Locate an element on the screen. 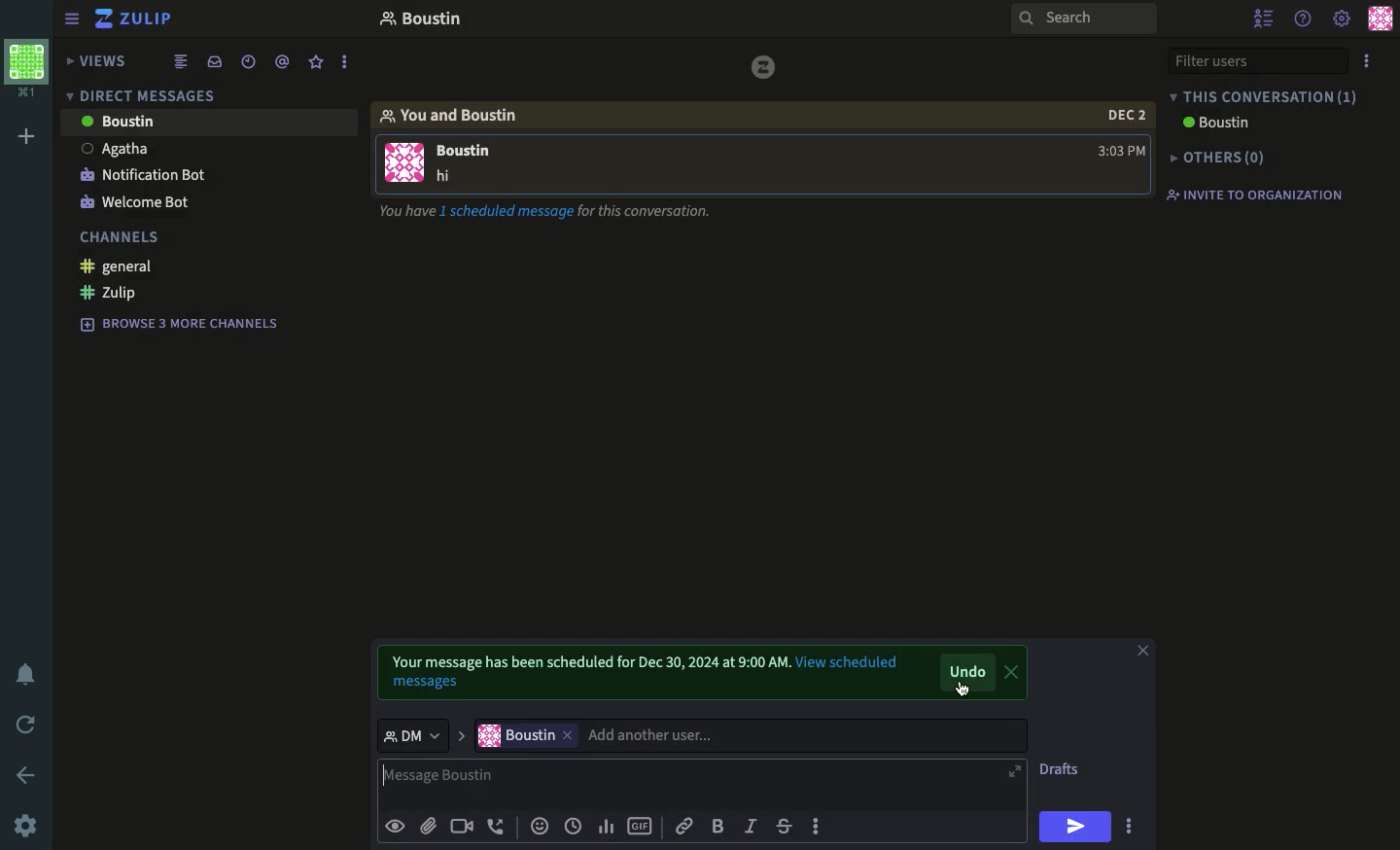  expand is located at coordinates (1013, 774).